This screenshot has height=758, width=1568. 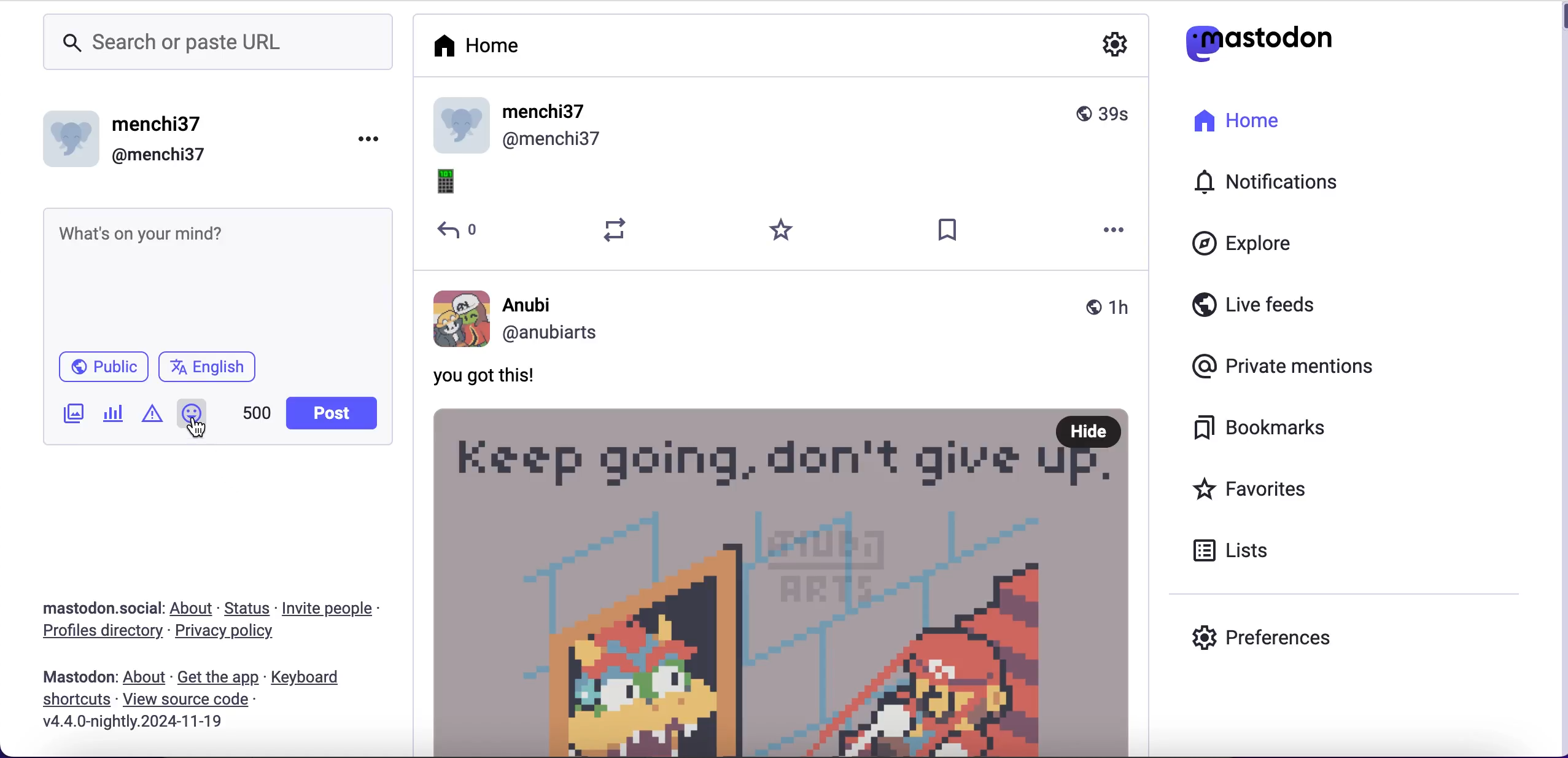 I want to click on keyboard, so click(x=316, y=678).